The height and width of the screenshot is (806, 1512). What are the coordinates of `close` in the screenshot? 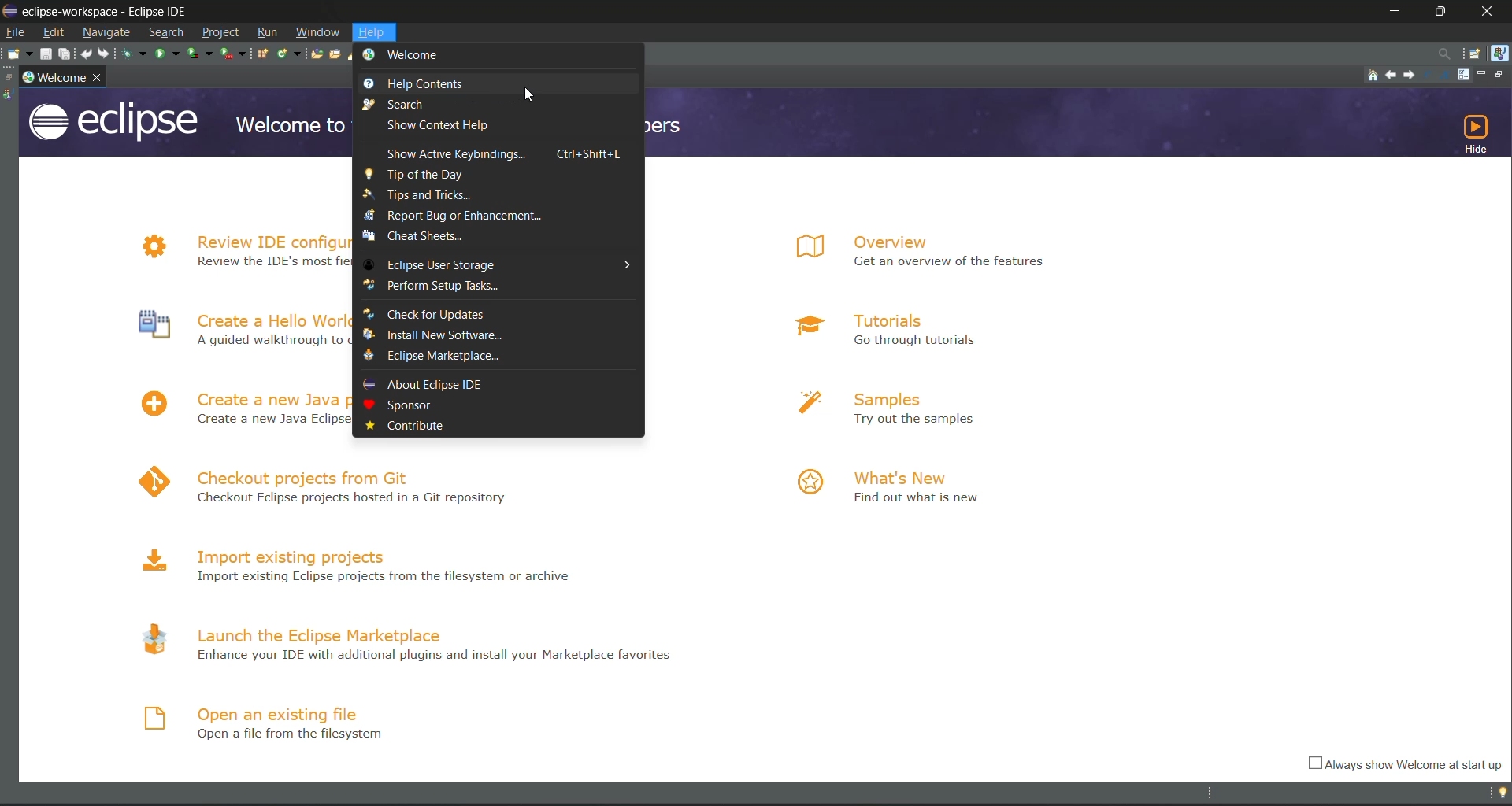 It's located at (1489, 12).